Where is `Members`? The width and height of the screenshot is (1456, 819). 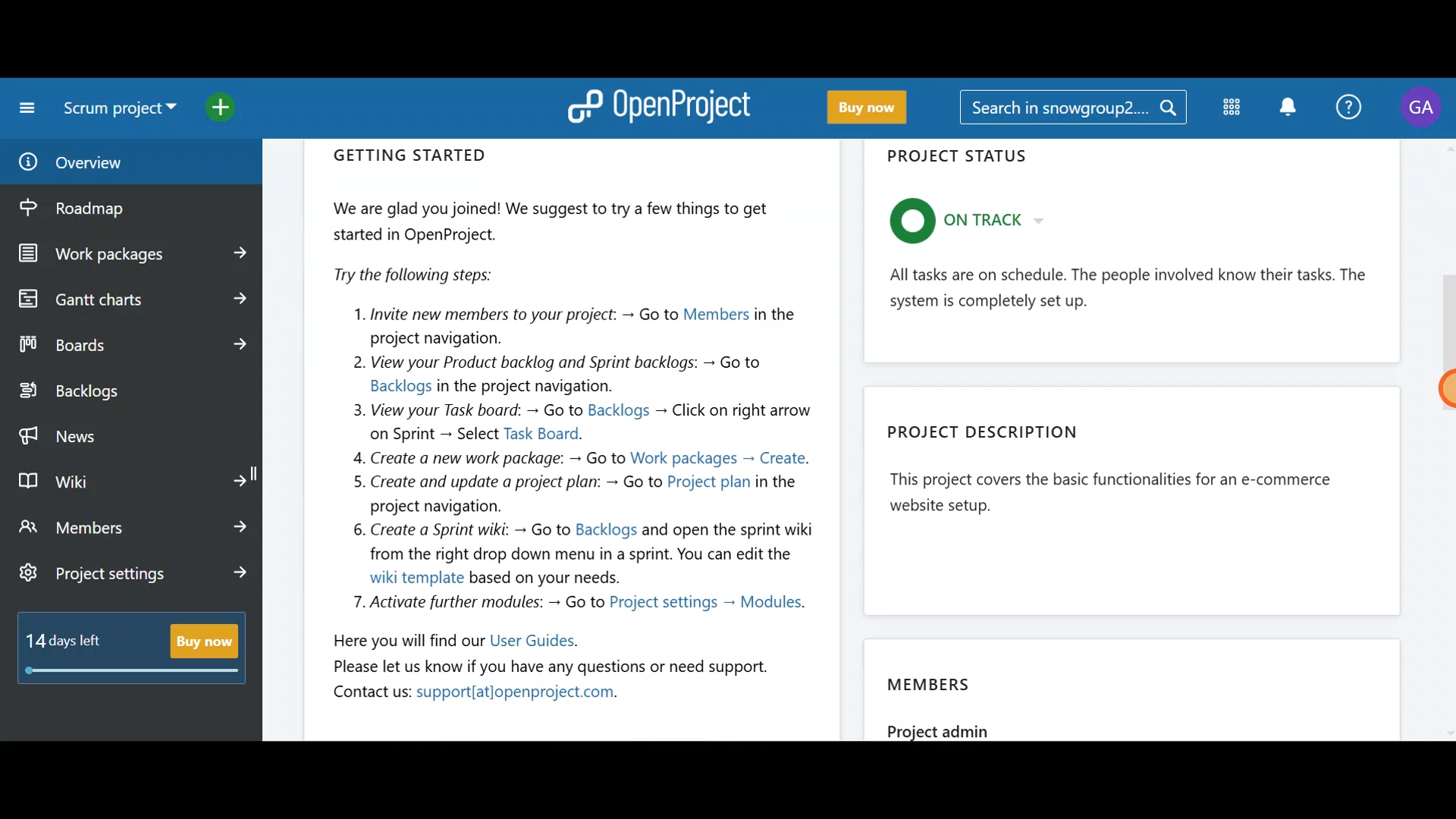
Members is located at coordinates (1137, 685).